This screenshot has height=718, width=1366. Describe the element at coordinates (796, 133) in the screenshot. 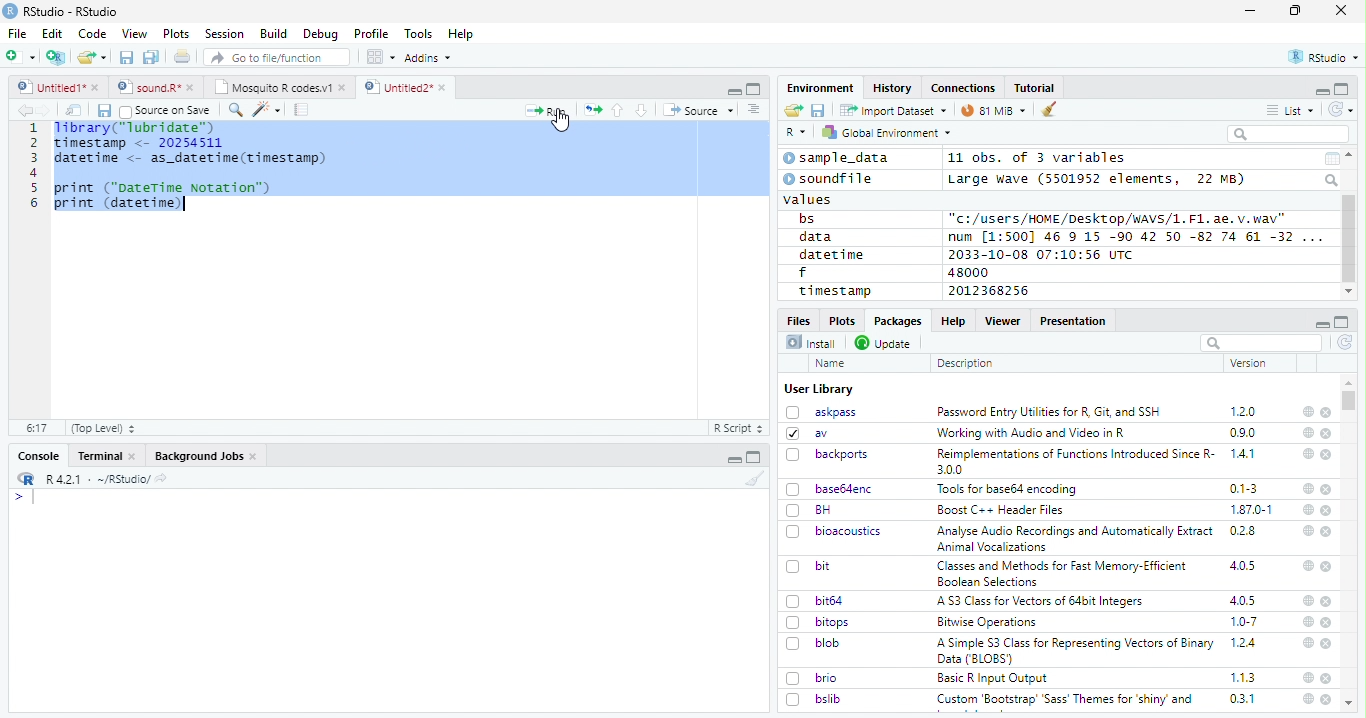

I see `R` at that location.